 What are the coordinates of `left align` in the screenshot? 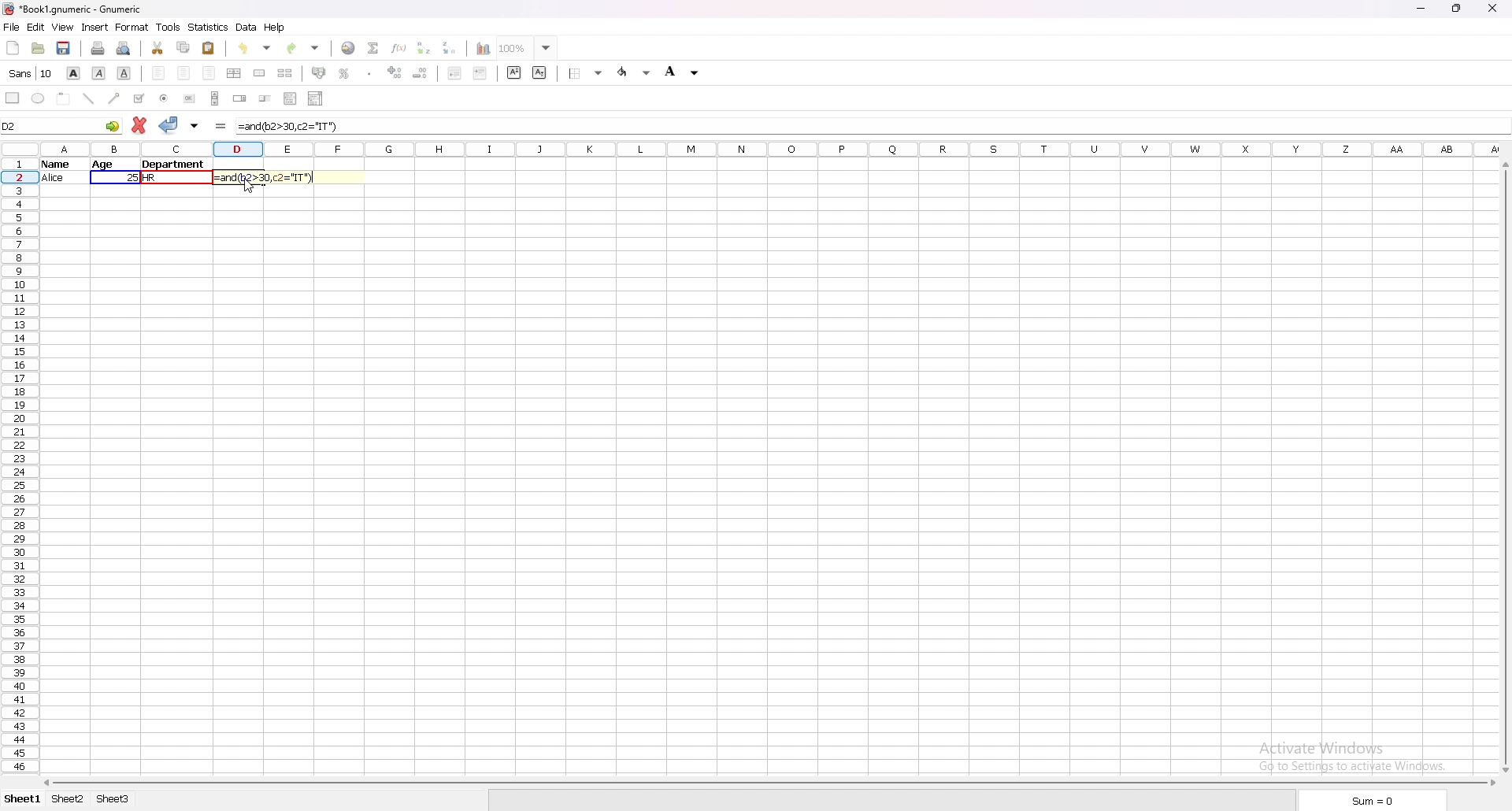 It's located at (158, 73).